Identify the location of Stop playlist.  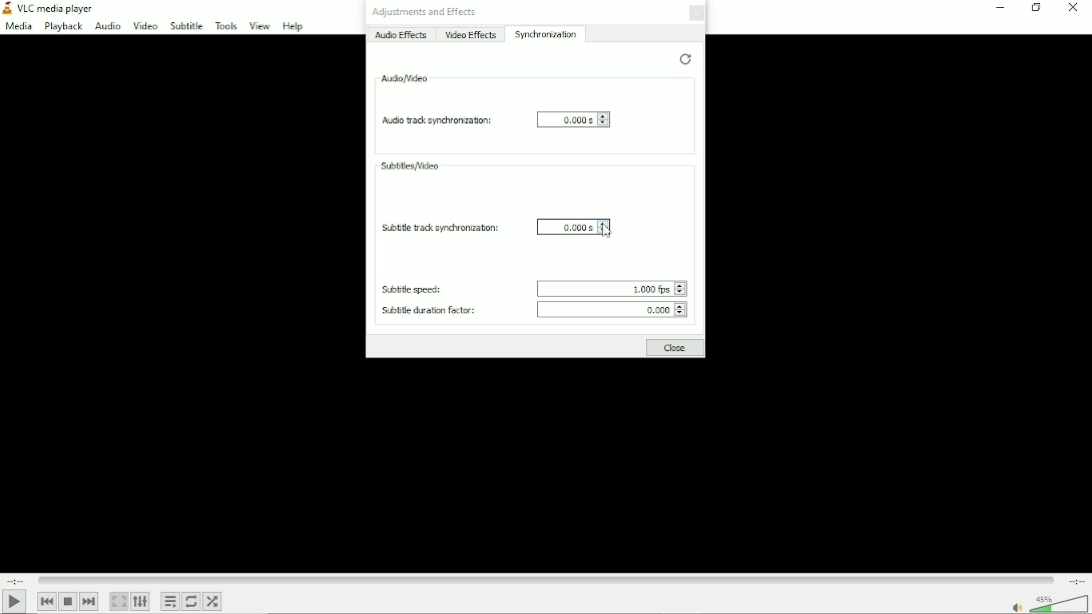
(68, 602).